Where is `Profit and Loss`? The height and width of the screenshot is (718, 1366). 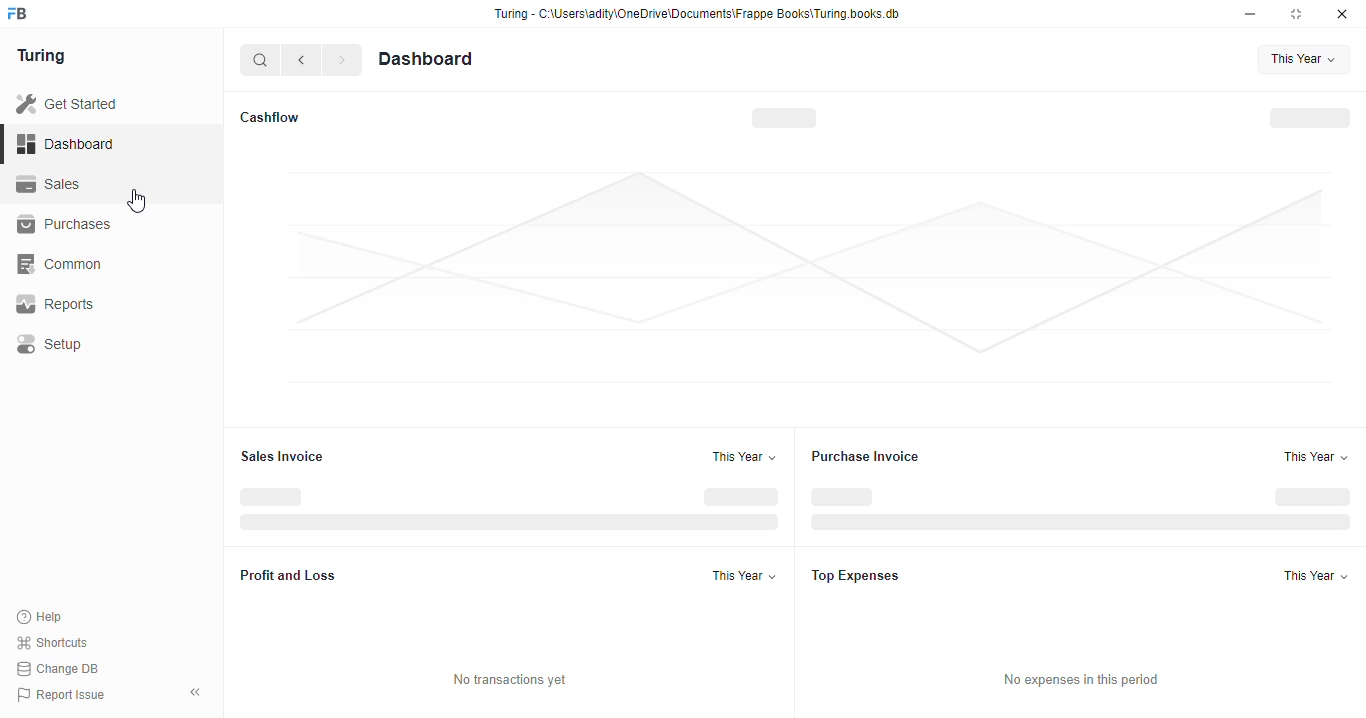
Profit and Loss is located at coordinates (296, 577).